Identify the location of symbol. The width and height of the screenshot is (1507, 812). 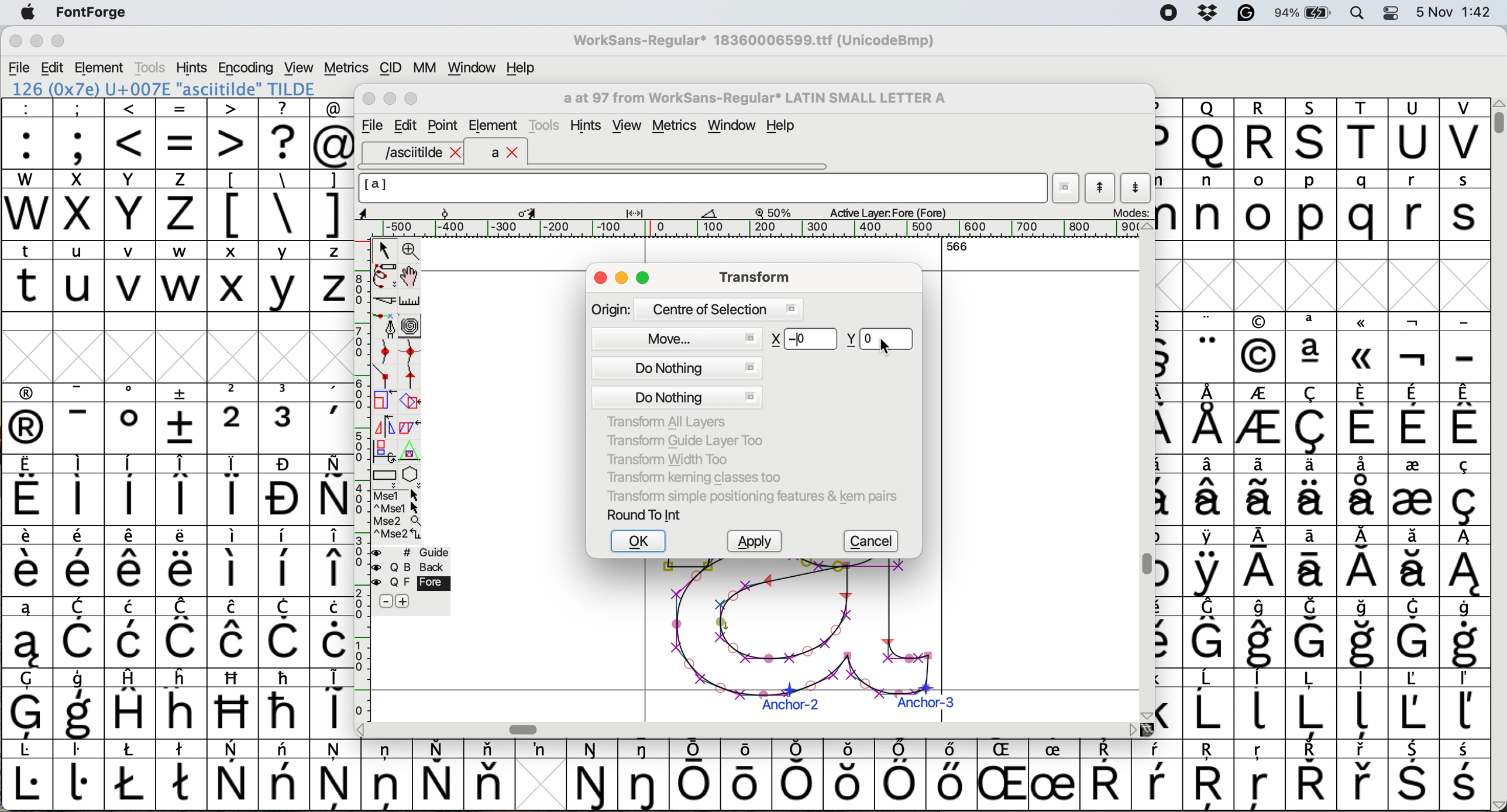
(28, 491).